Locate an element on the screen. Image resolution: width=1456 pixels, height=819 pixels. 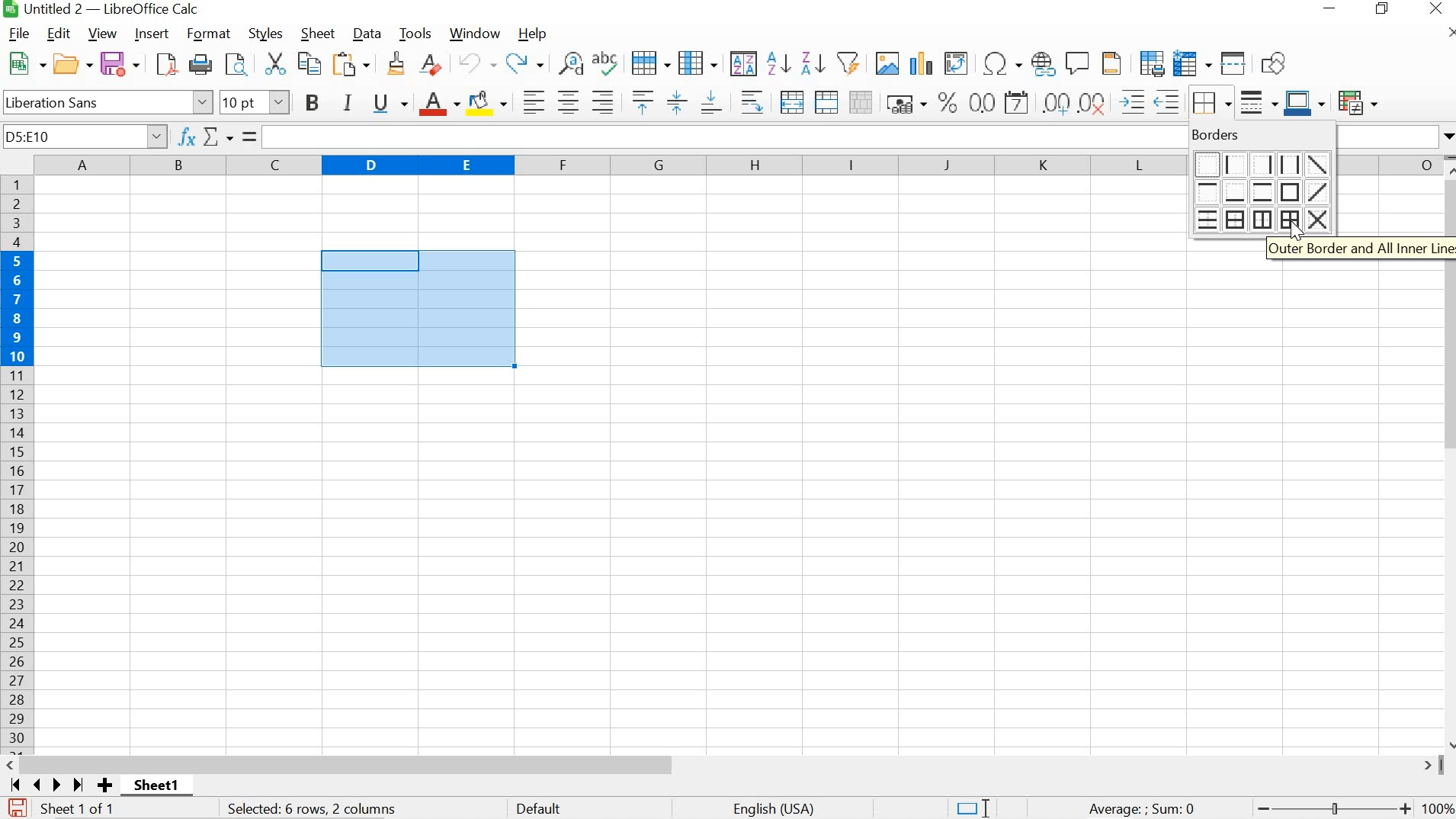
diagonal up border is located at coordinates (1321, 193).